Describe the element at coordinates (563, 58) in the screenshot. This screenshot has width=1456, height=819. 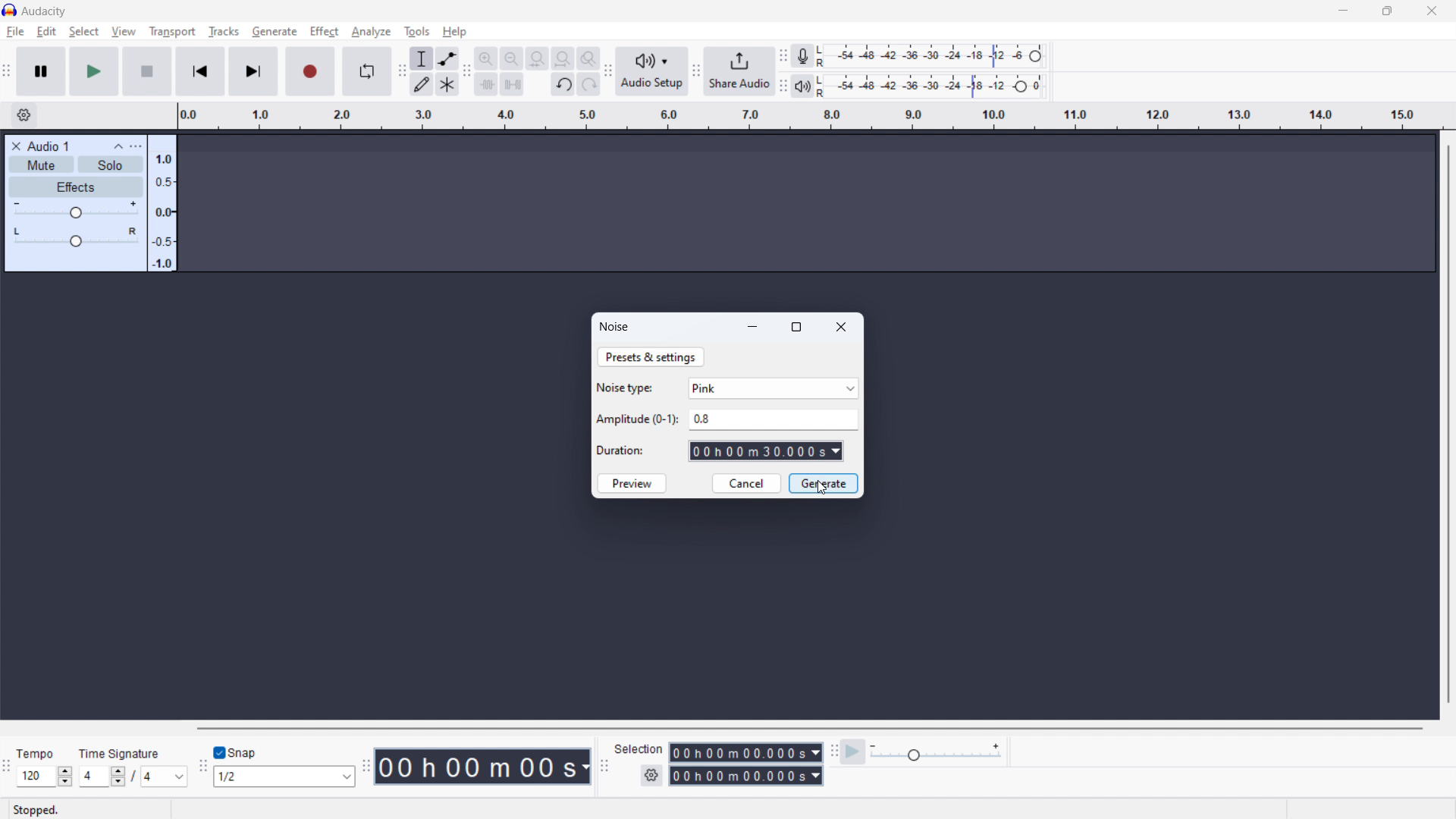
I see `fit project to width` at that location.